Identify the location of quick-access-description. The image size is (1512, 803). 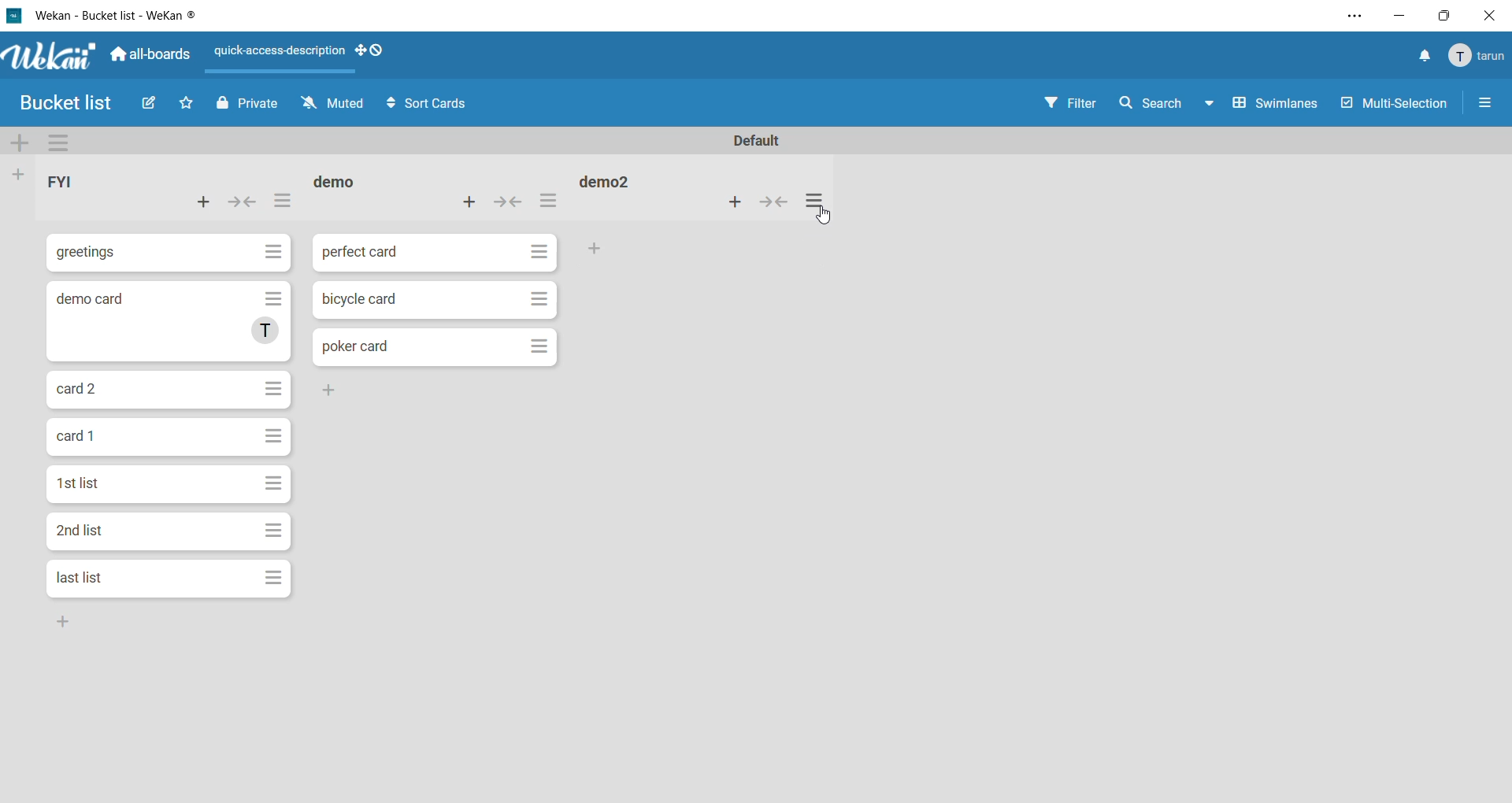
(275, 51).